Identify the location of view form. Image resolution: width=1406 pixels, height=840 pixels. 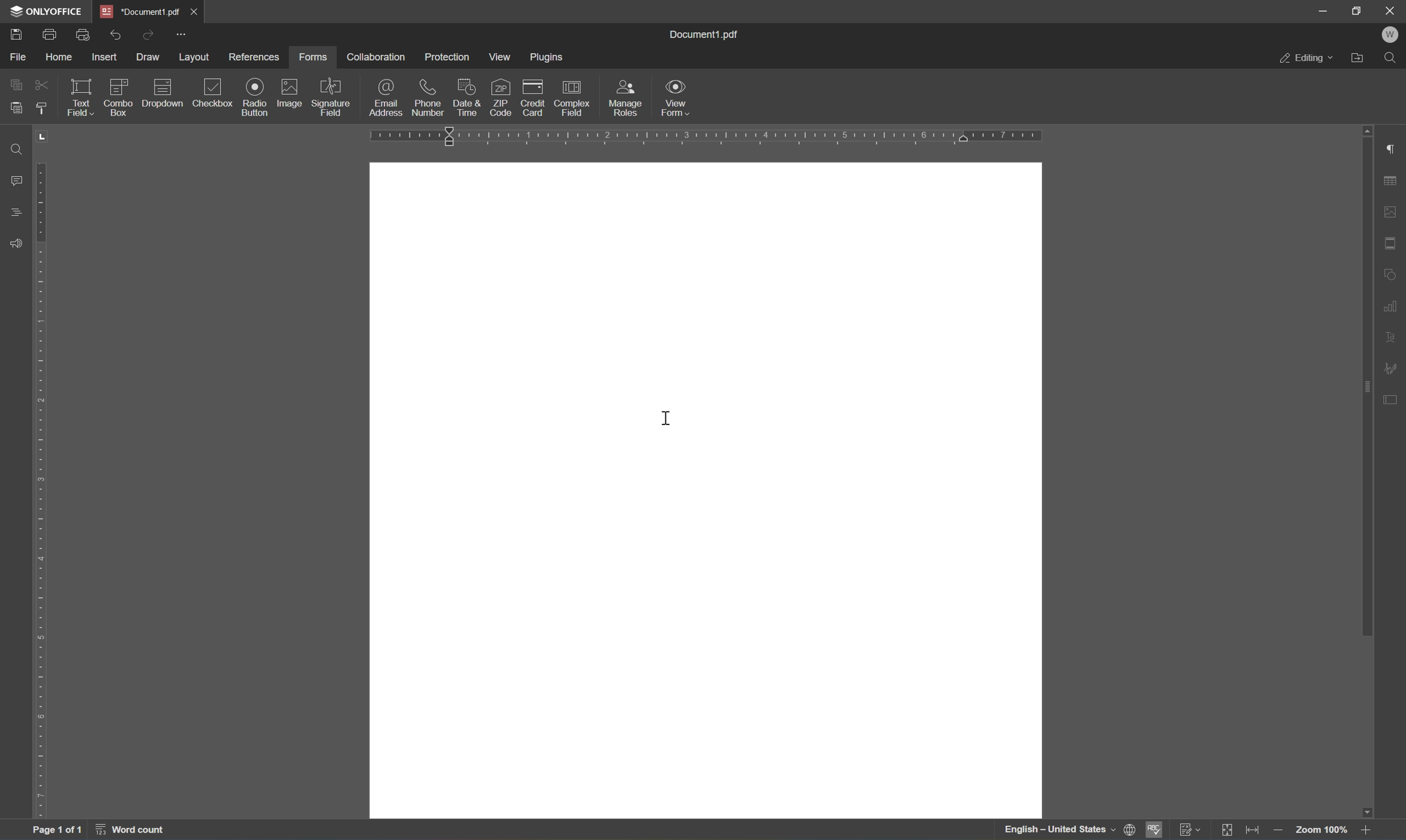
(677, 98).